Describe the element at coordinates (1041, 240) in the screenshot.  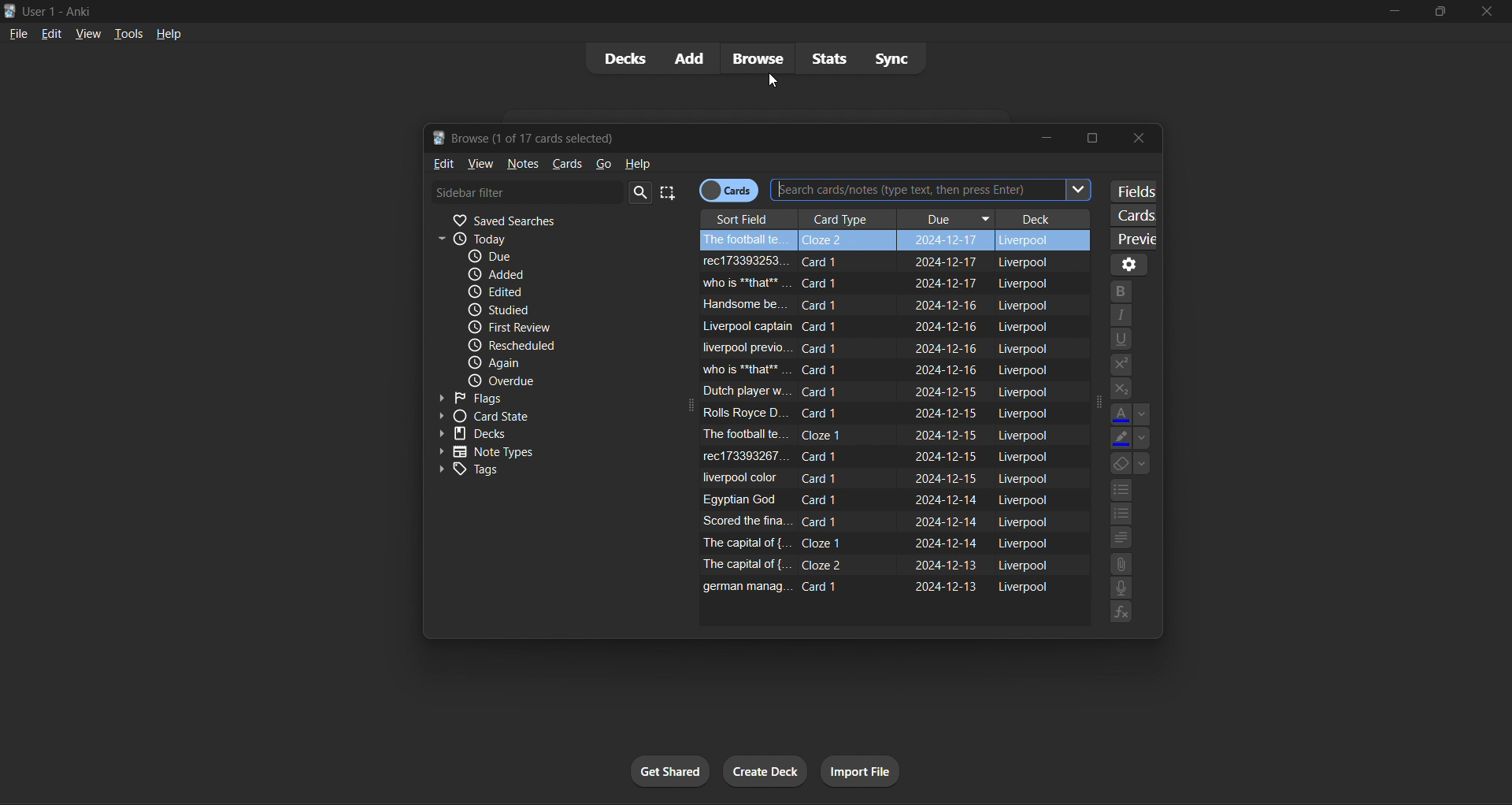
I see `liverpool` at that location.